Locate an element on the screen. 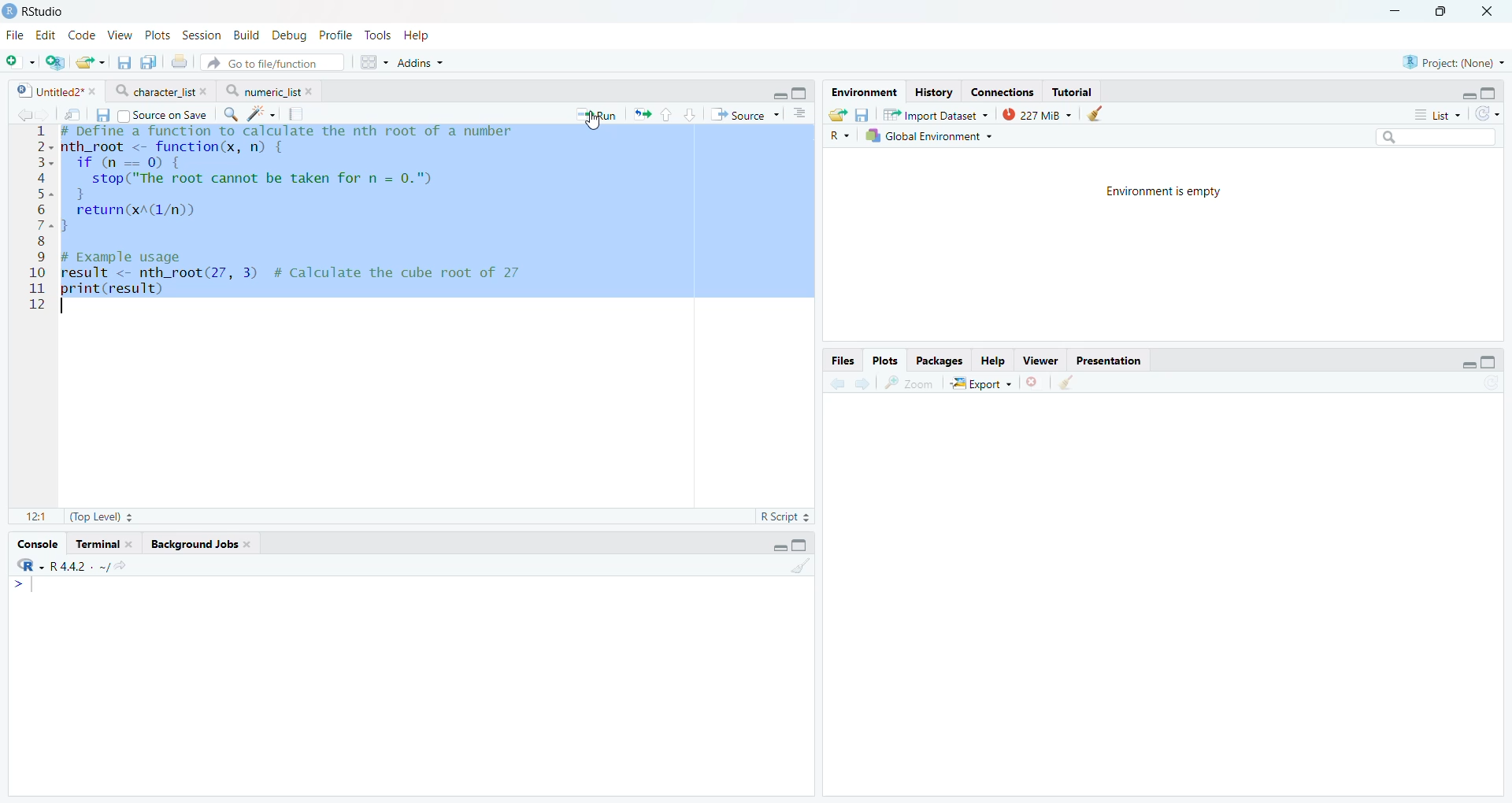 The image size is (1512, 803). Go to next section is located at coordinates (691, 113).